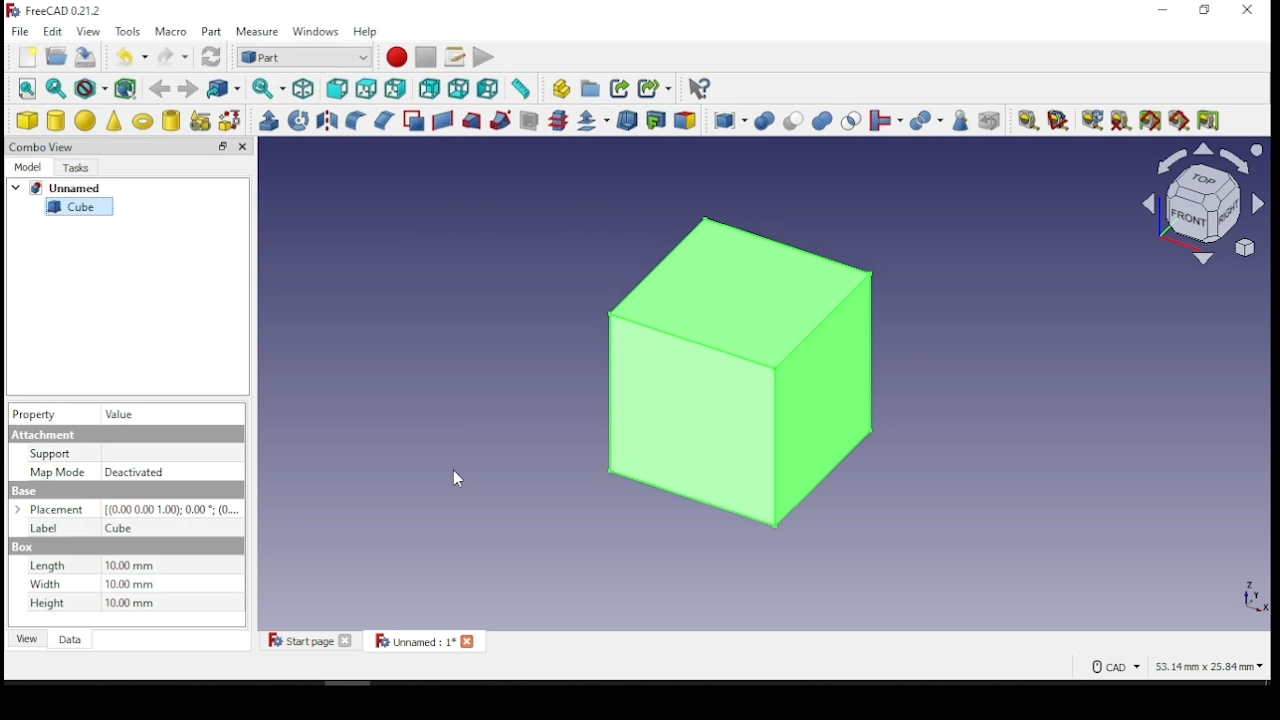 The image size is (1280, 720). What do you see at coordinates (35, 413) in the screenshot?
I see `property` at bounding box center [35, 413].